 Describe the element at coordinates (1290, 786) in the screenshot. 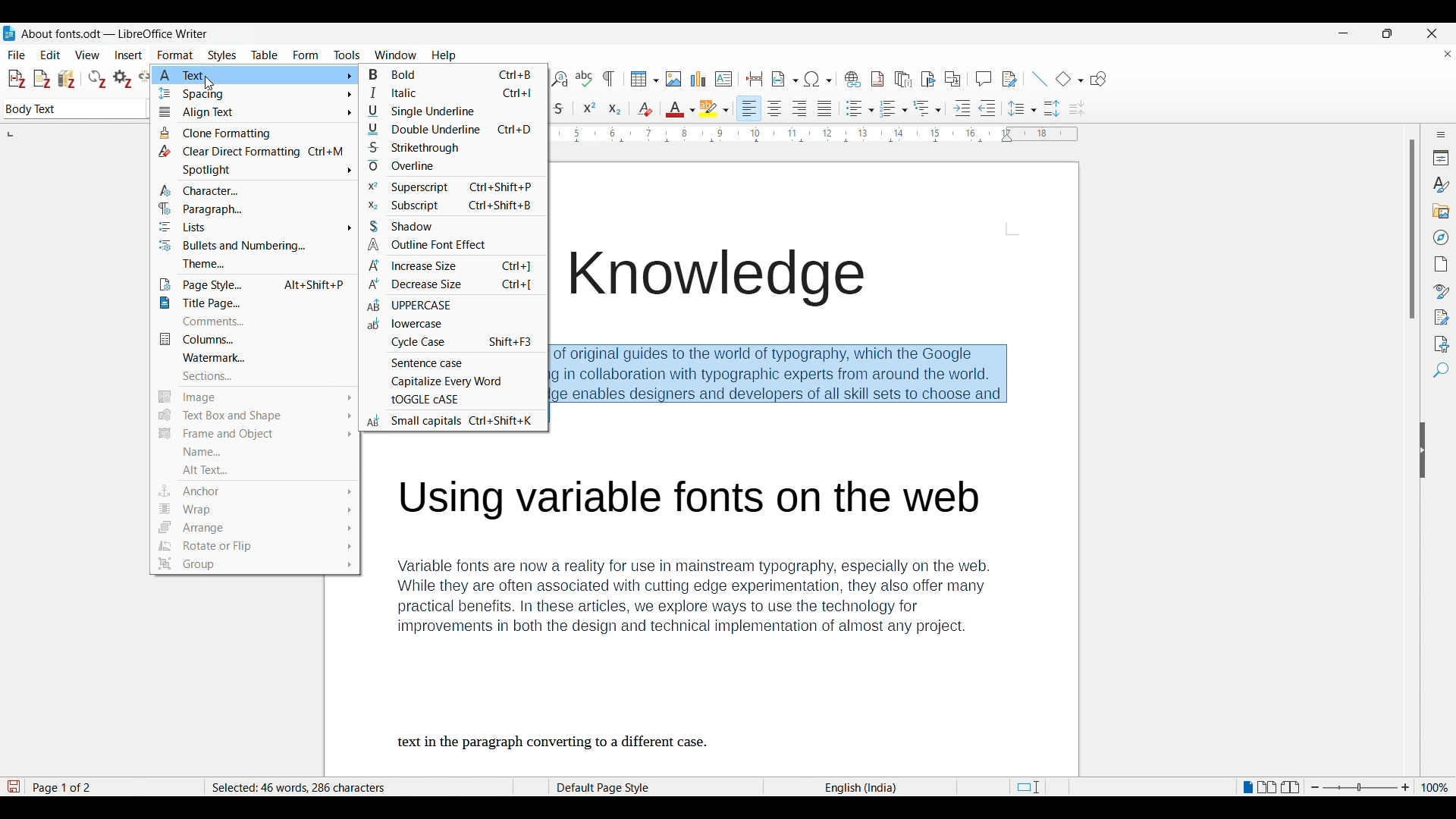

I see `Book view` at that location.